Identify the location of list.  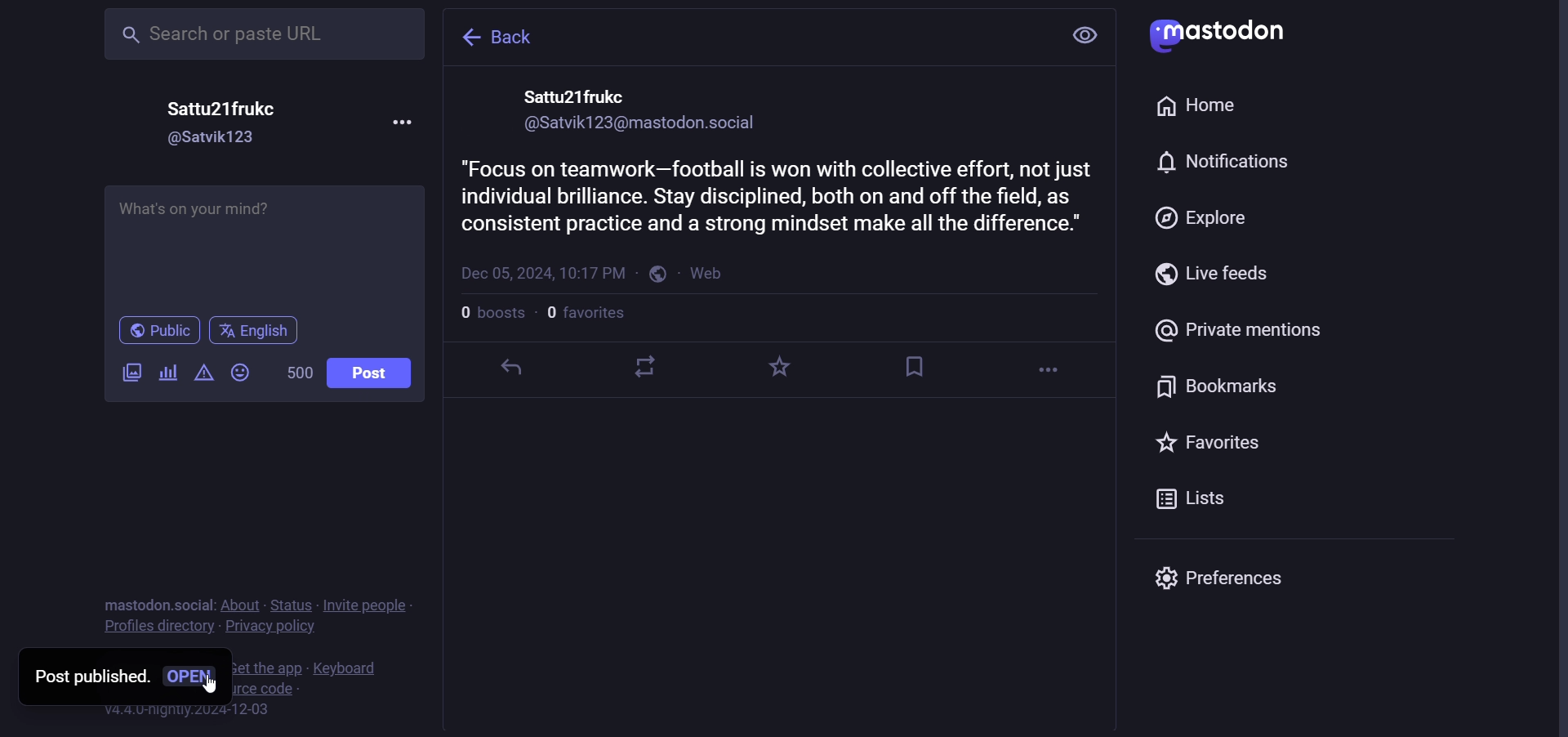
(1199, 498).